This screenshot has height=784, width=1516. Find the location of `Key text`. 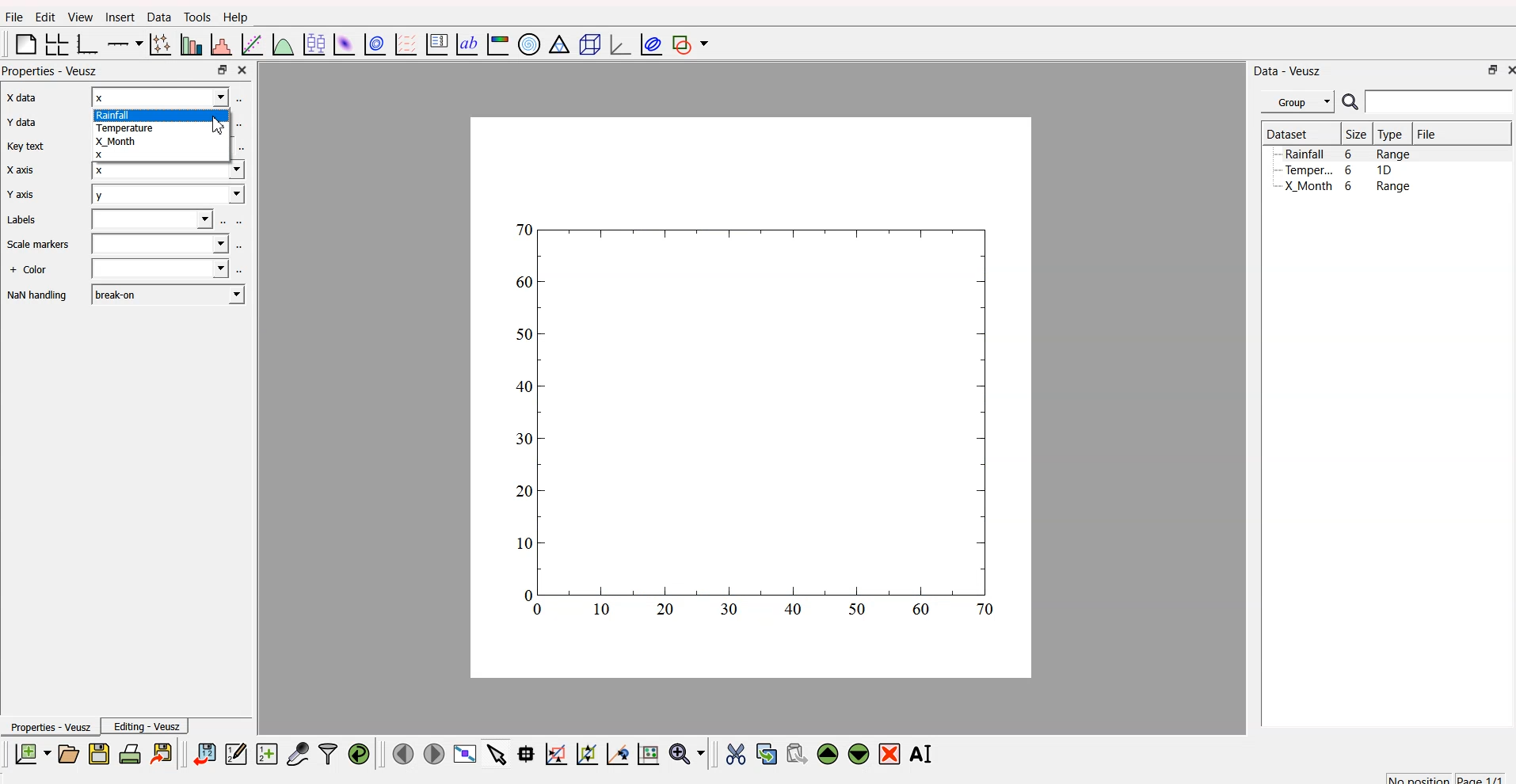

Key text is located at coordinates (27, 147).